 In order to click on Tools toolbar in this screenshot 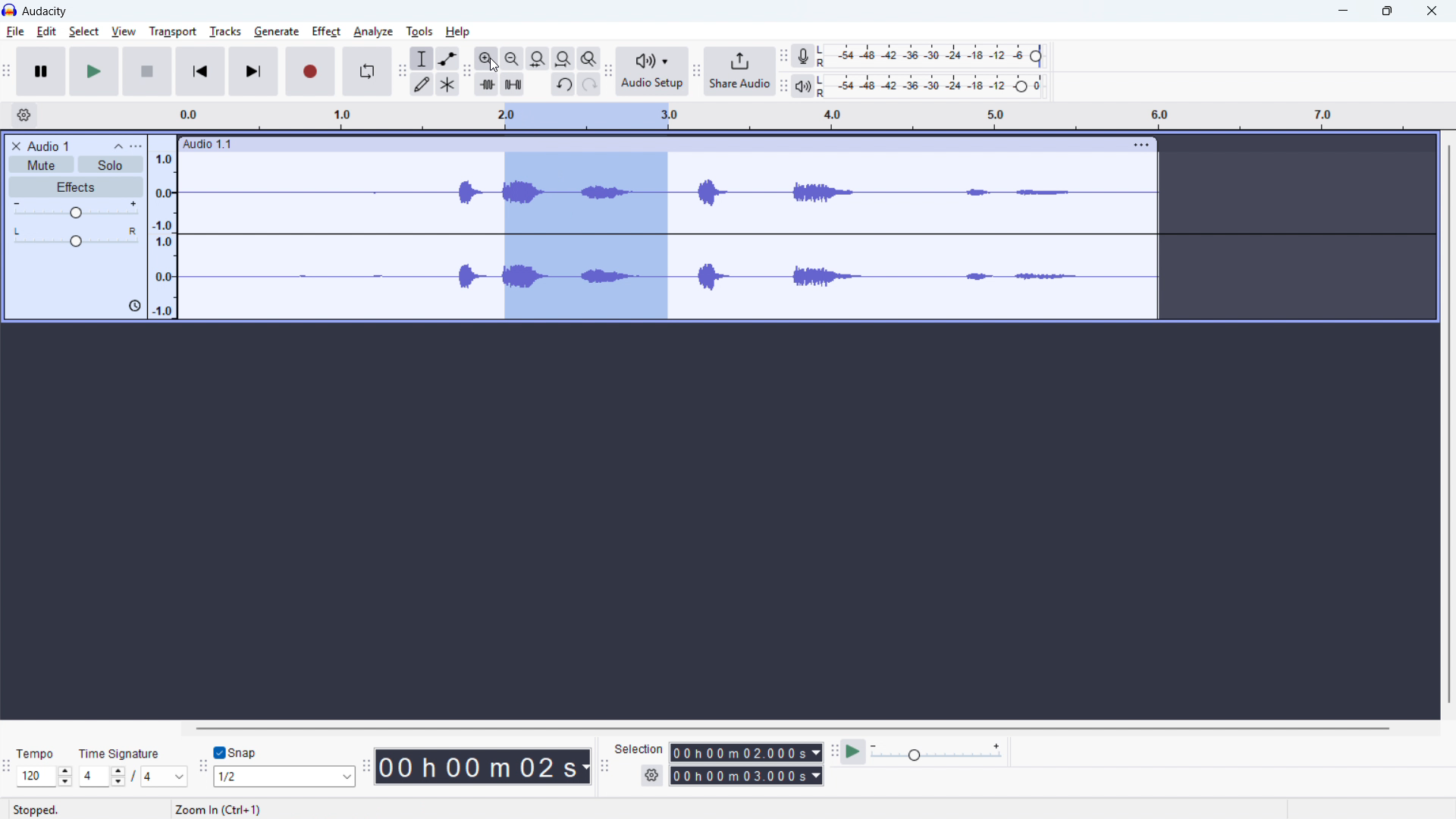, I will do `click(403, 72)`.